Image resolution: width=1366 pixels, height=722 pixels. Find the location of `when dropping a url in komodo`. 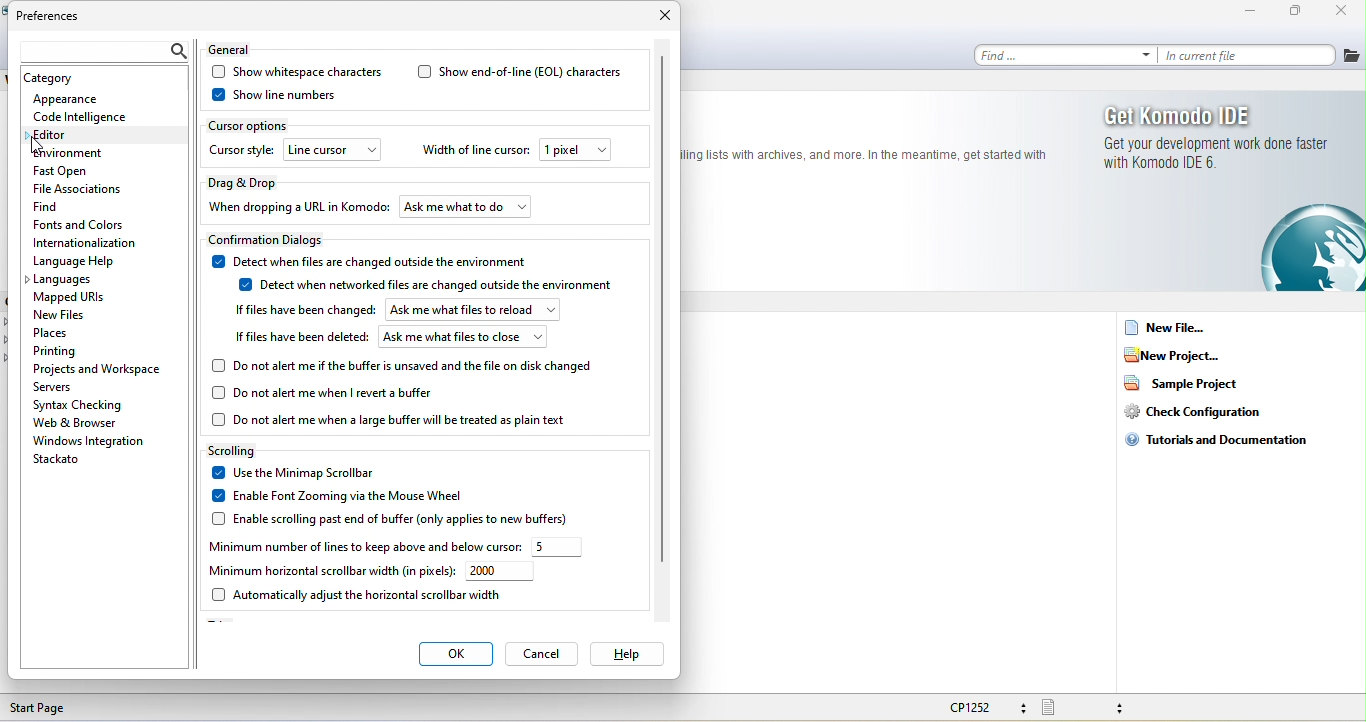

when dropping a url in komodo is located at coordinates (298, 206).